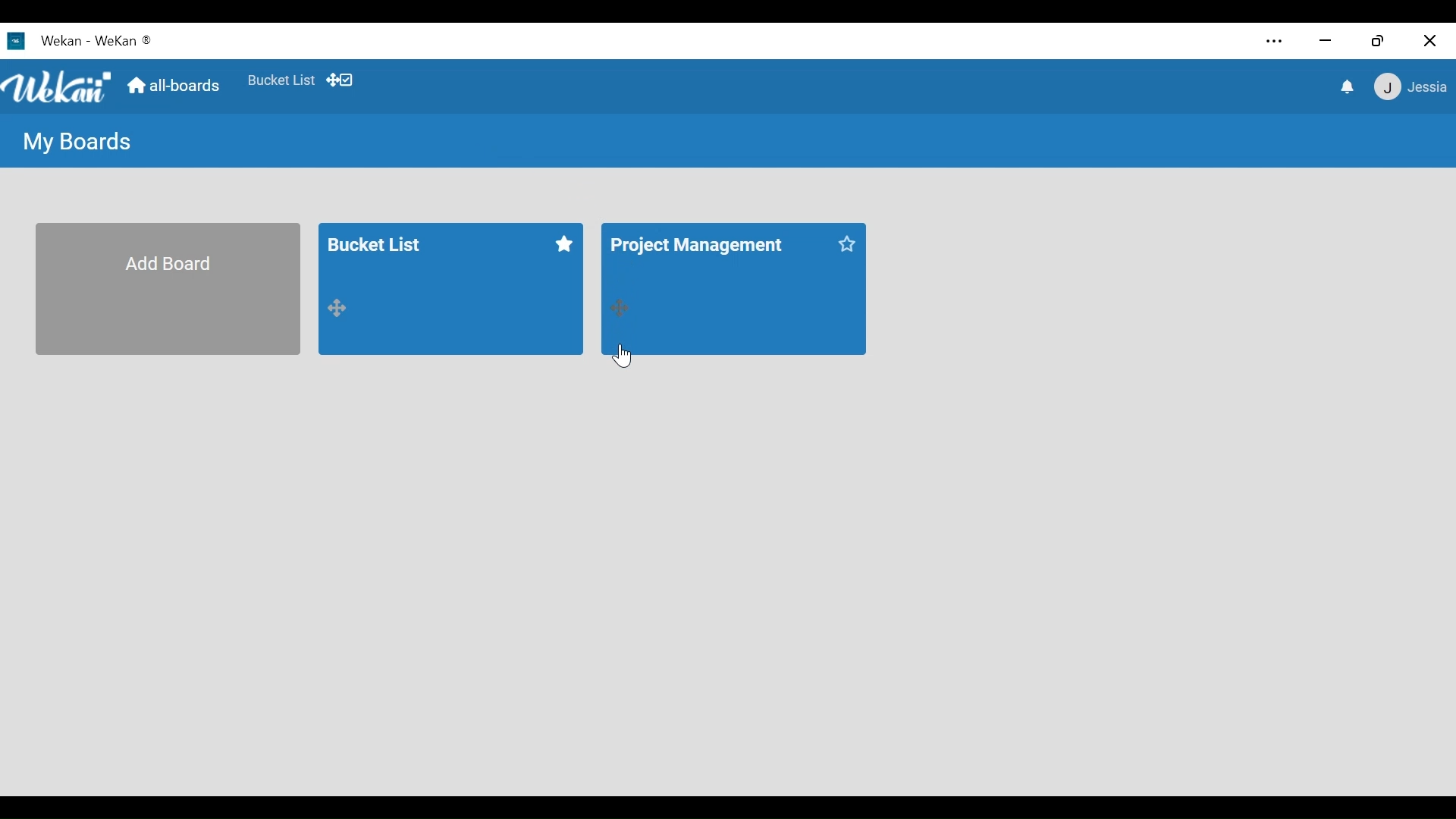 This screenshot has height=819, width=1456. I want to click on Show Desktop drag handles, so click(344, 80).